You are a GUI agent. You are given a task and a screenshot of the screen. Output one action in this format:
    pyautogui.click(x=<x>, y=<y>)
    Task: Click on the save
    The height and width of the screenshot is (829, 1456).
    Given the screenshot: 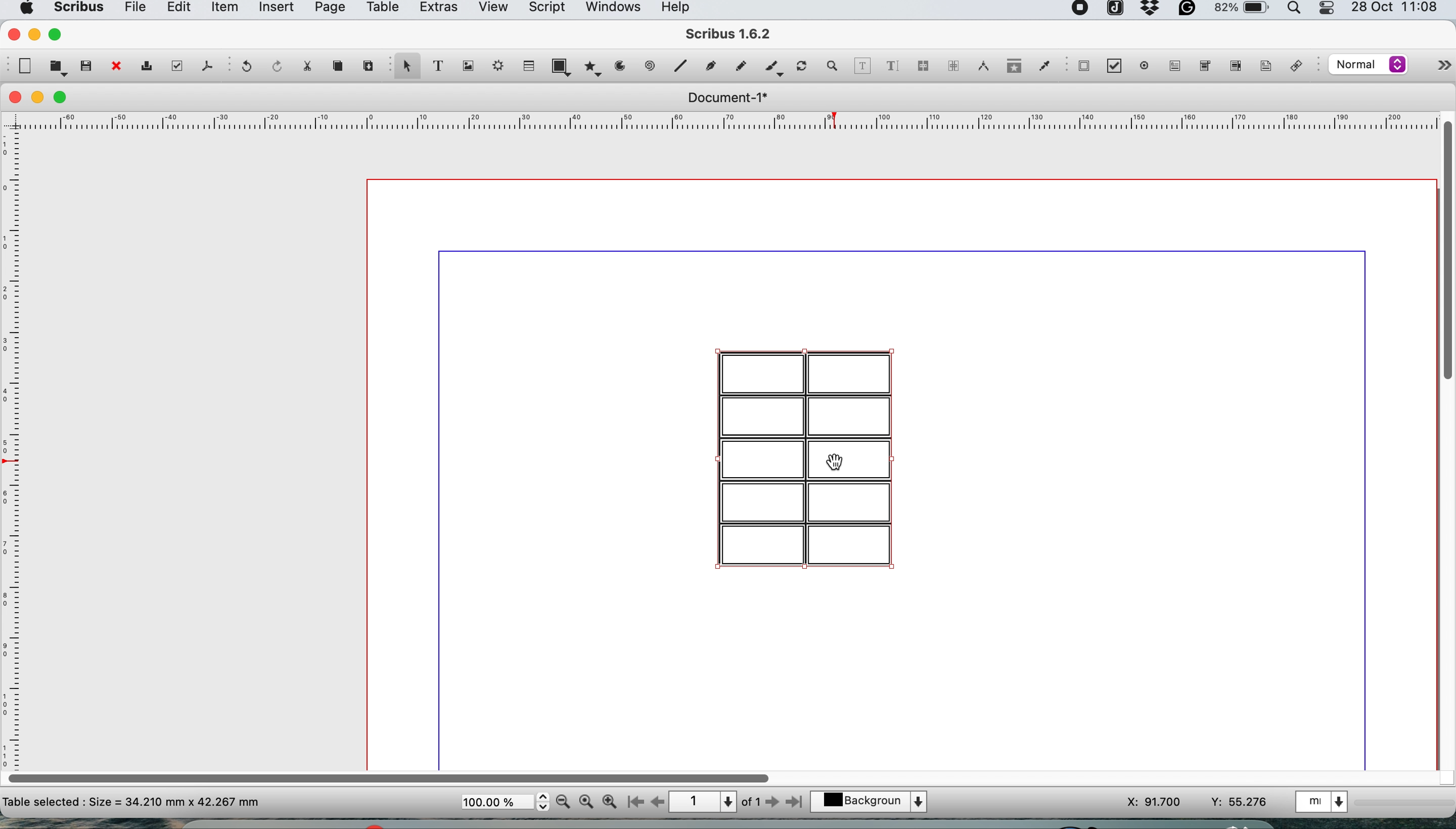 What is the action you would take?
    pyautogui.click(x=87, y=65)
    